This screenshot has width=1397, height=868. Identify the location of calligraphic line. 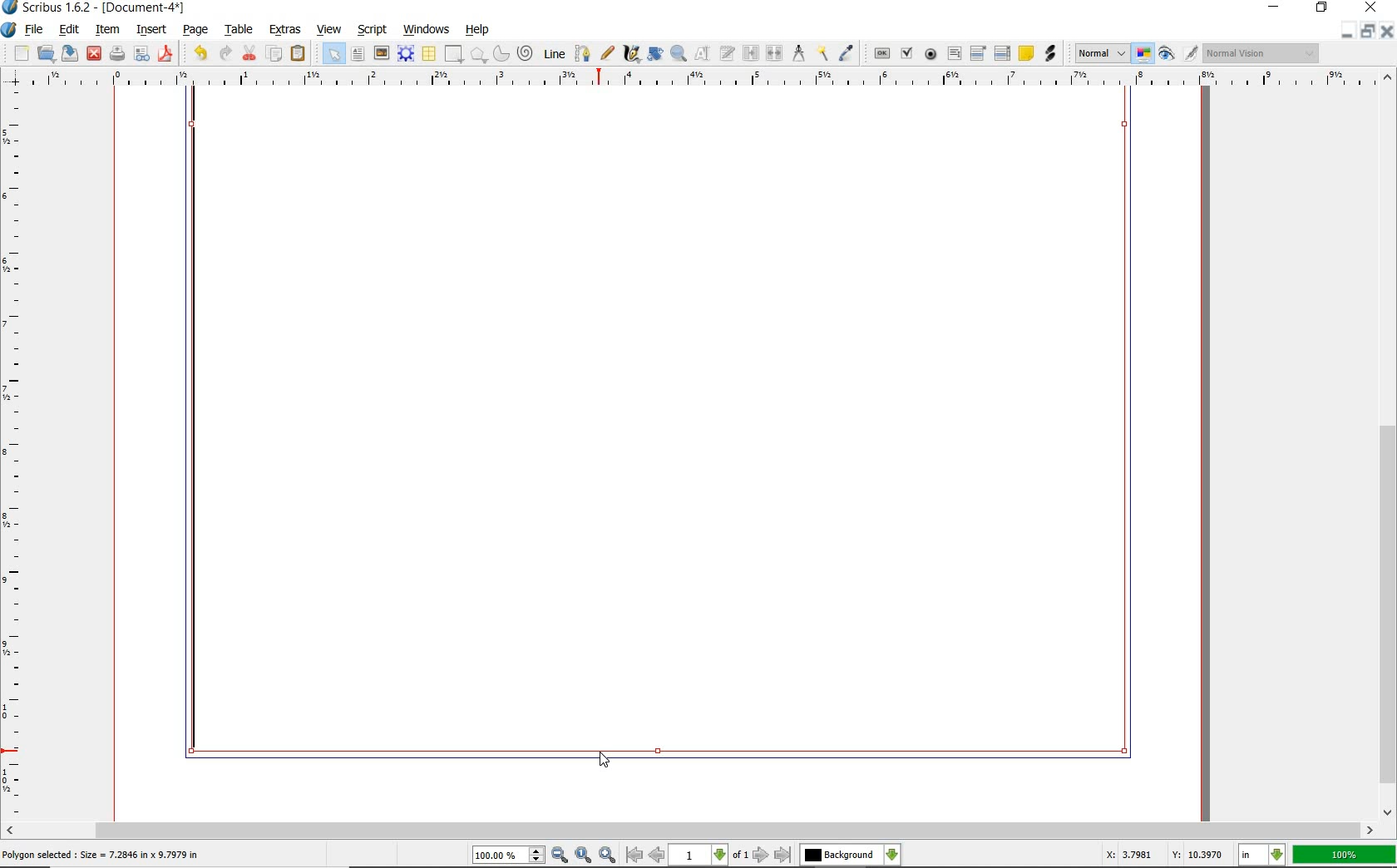
(631, 53).